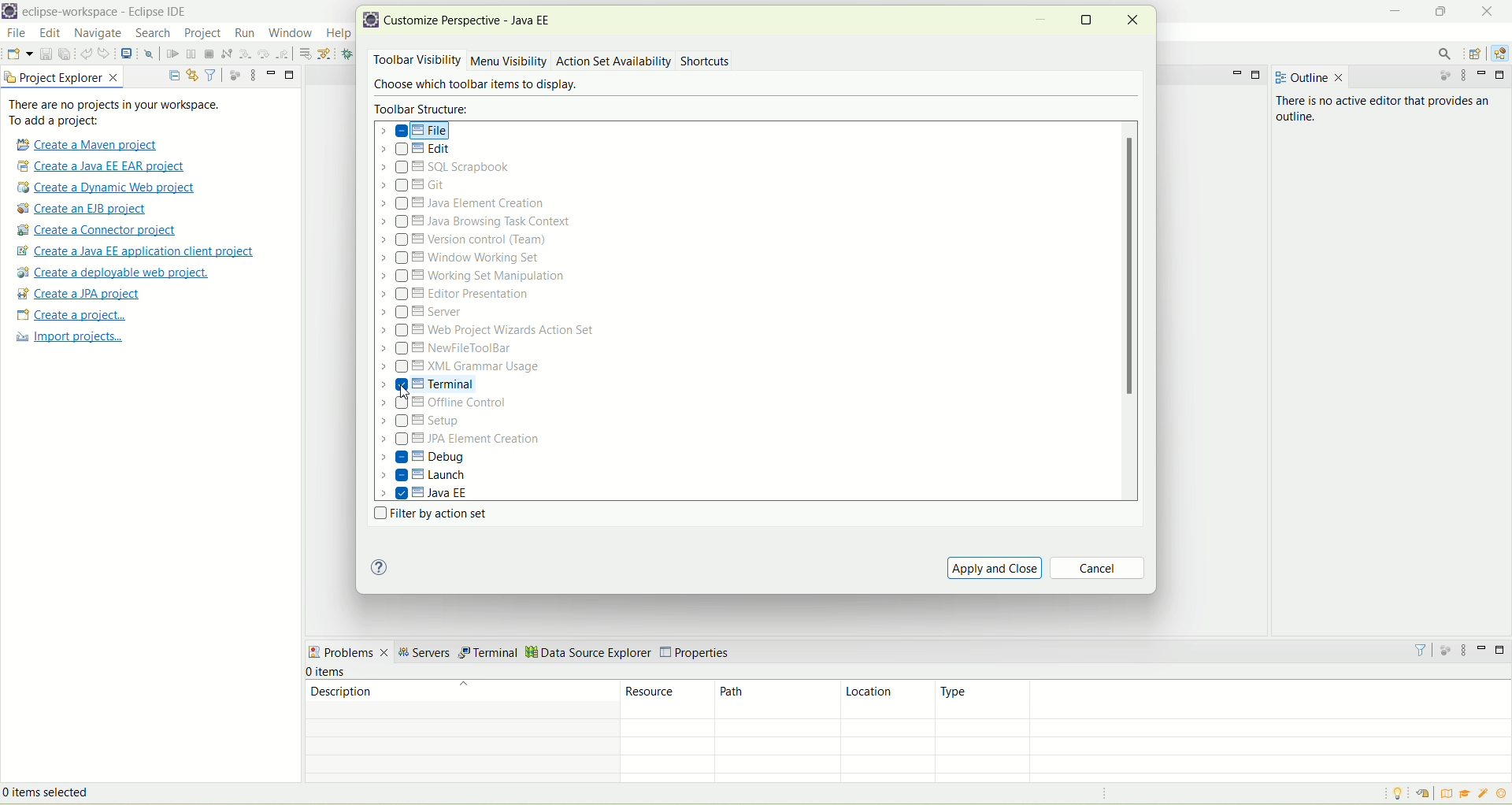 This screenshot has width=1512, height=805. Describe the element at coordinates (19, 53) in the screenshot. I see `new` at that location.